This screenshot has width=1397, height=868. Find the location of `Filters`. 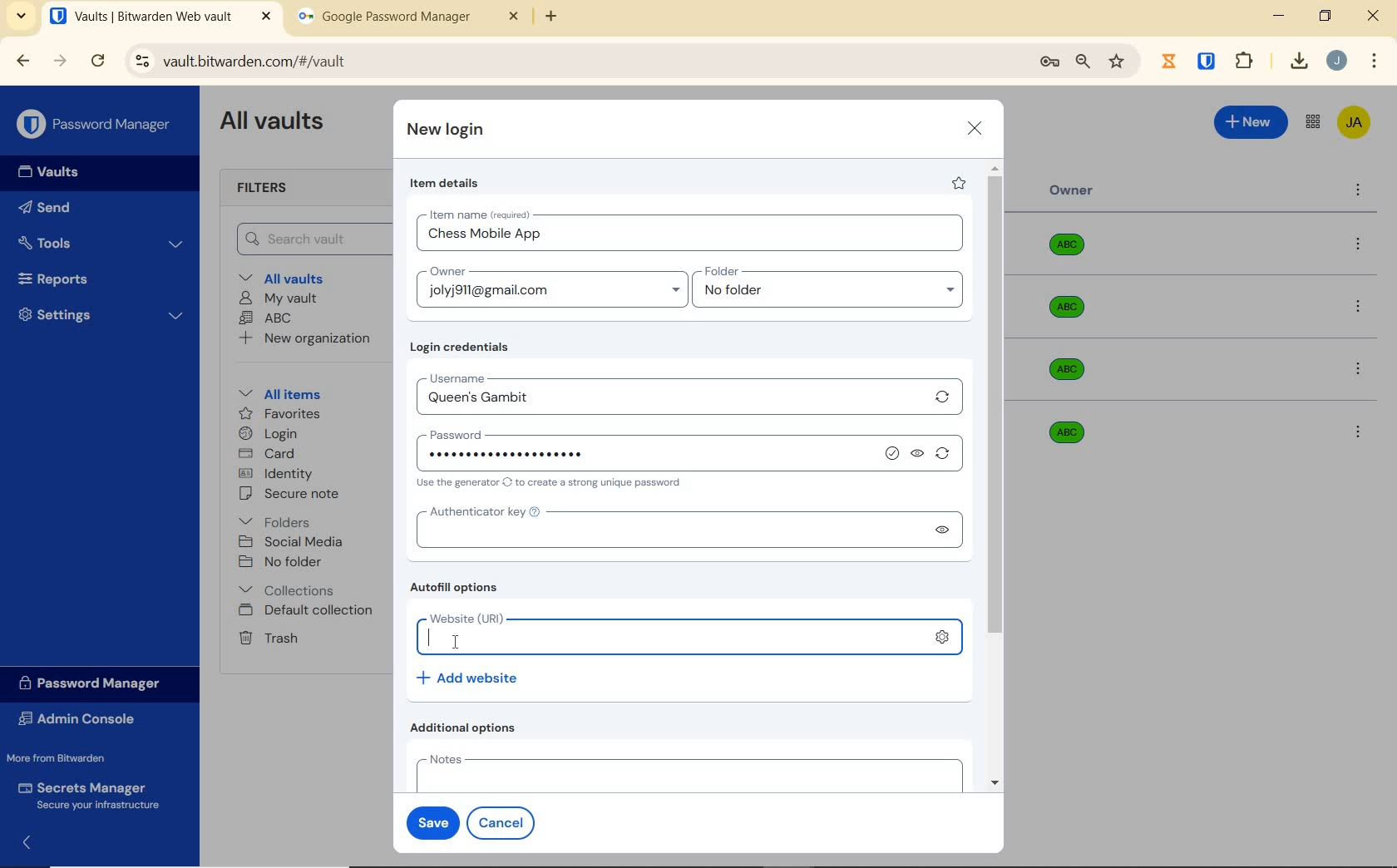

Filters is located at coordinates (268, 189).